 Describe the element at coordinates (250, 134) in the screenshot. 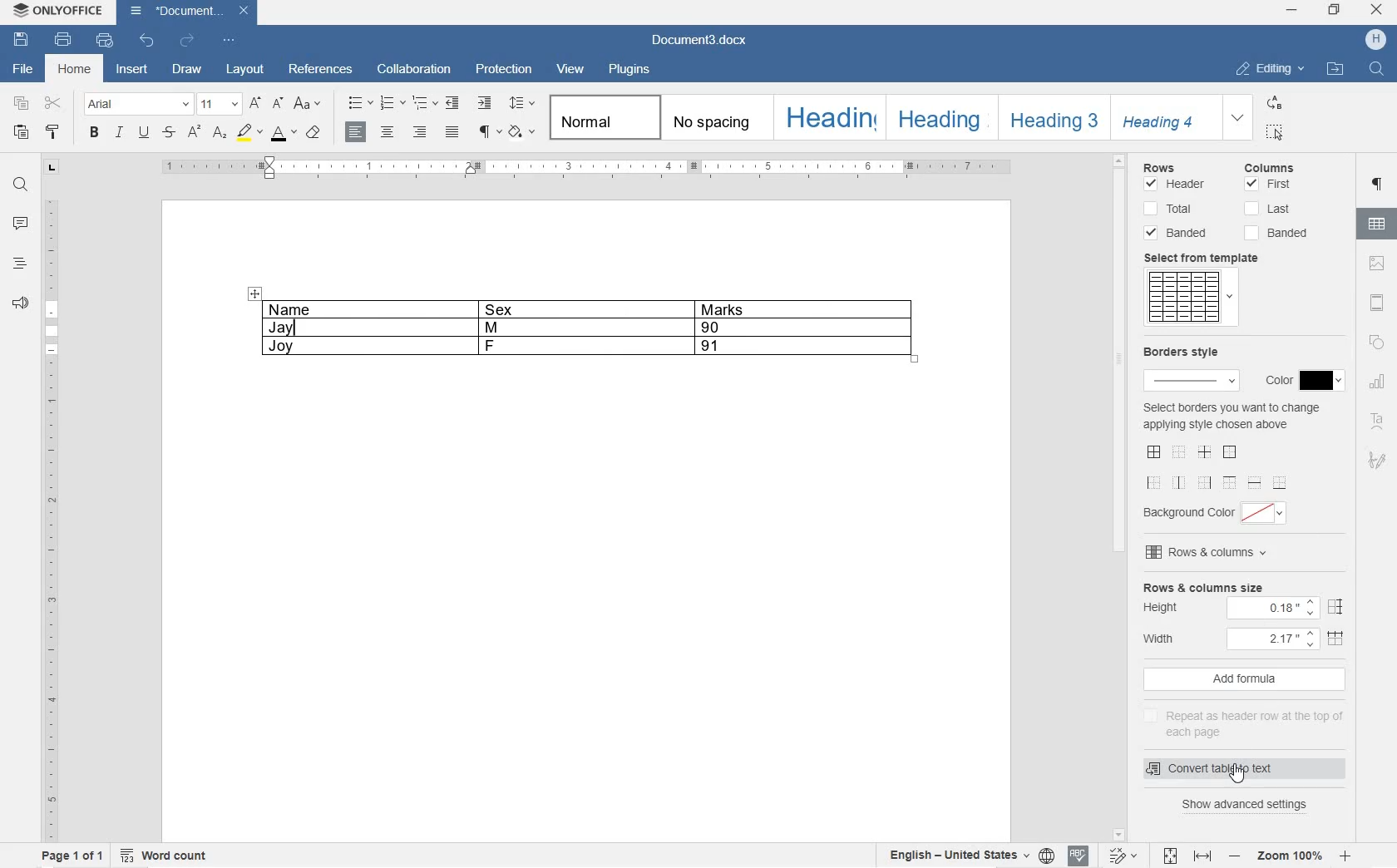

I see `HIGHLIGHT COLOR` at that location.